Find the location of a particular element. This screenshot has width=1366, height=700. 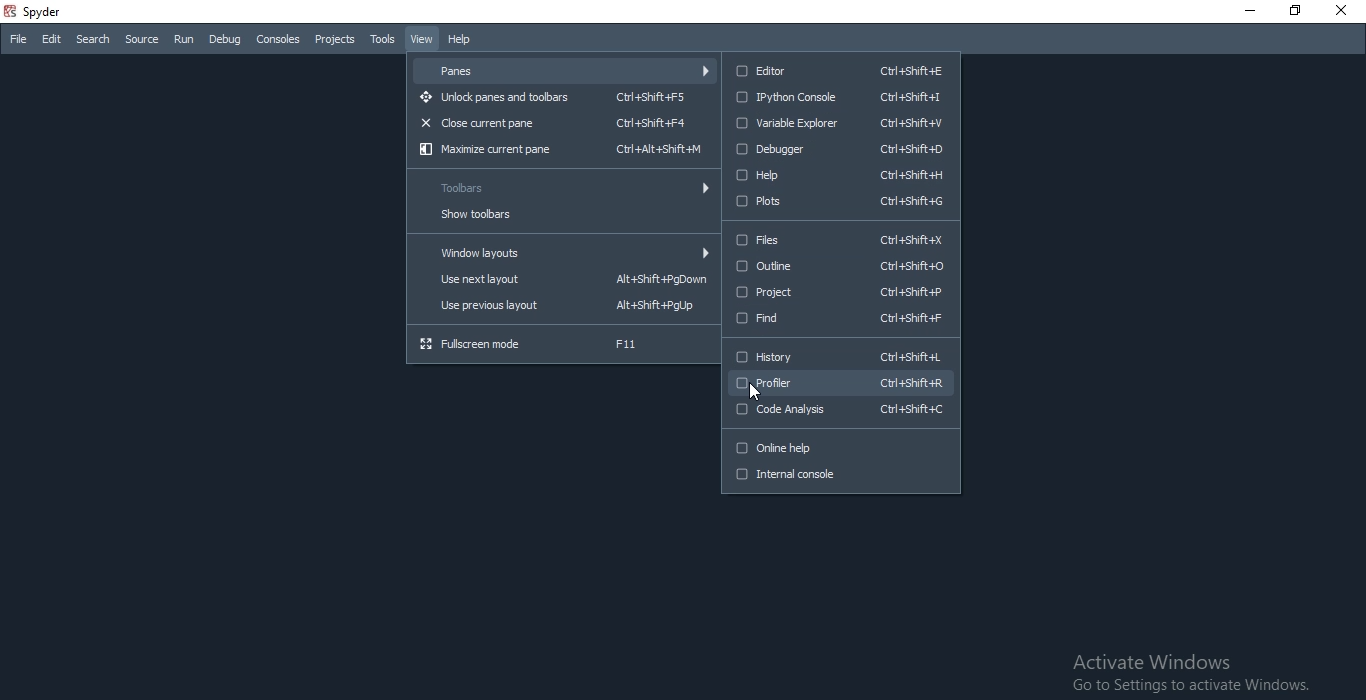

Project is located at coordinates (839, 293).